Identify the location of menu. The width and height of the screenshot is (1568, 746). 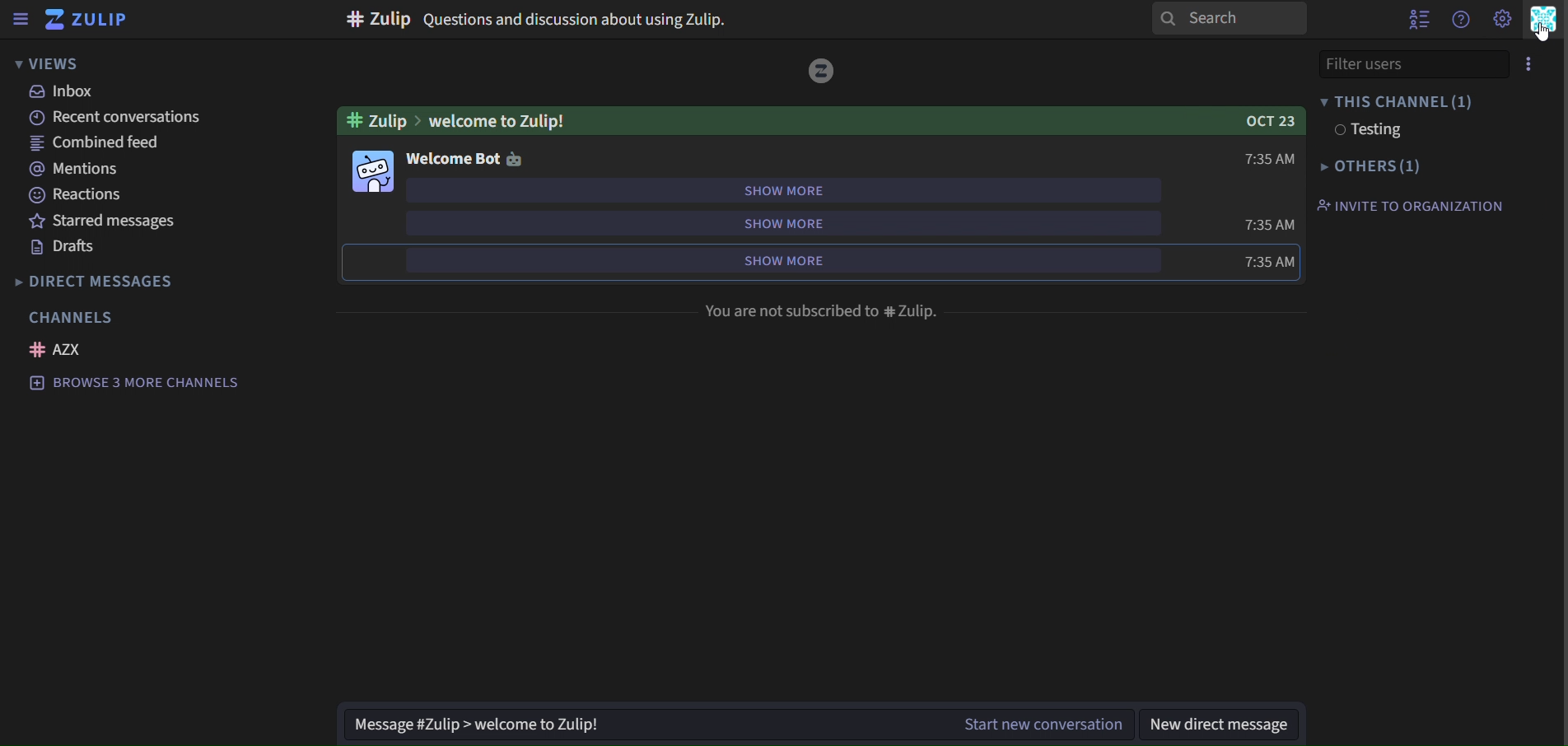
(1526, 65).